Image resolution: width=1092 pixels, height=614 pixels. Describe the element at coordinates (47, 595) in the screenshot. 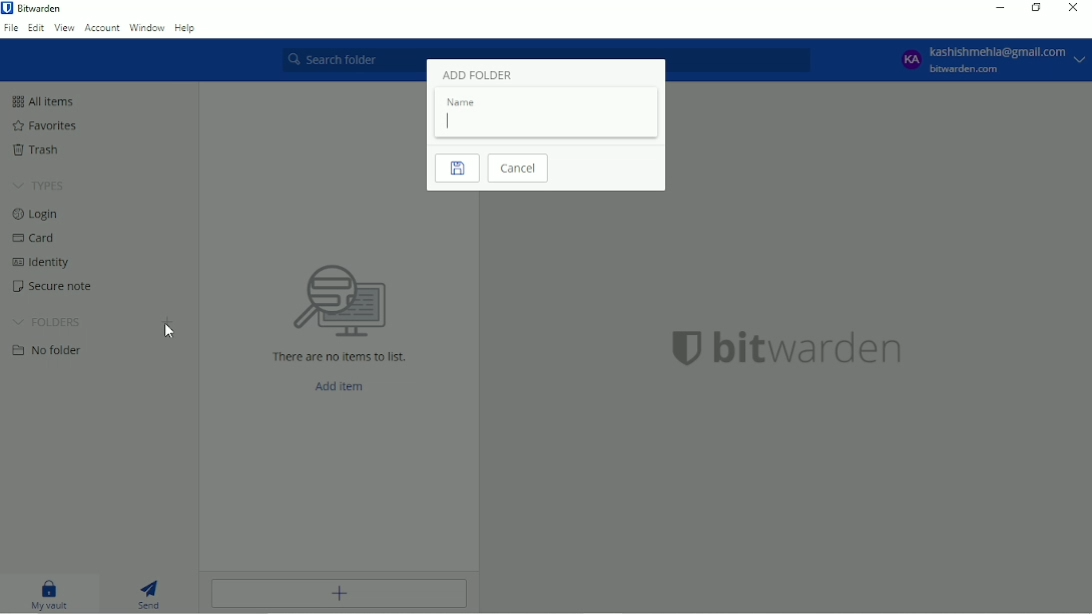

I see `My vault` at that location.